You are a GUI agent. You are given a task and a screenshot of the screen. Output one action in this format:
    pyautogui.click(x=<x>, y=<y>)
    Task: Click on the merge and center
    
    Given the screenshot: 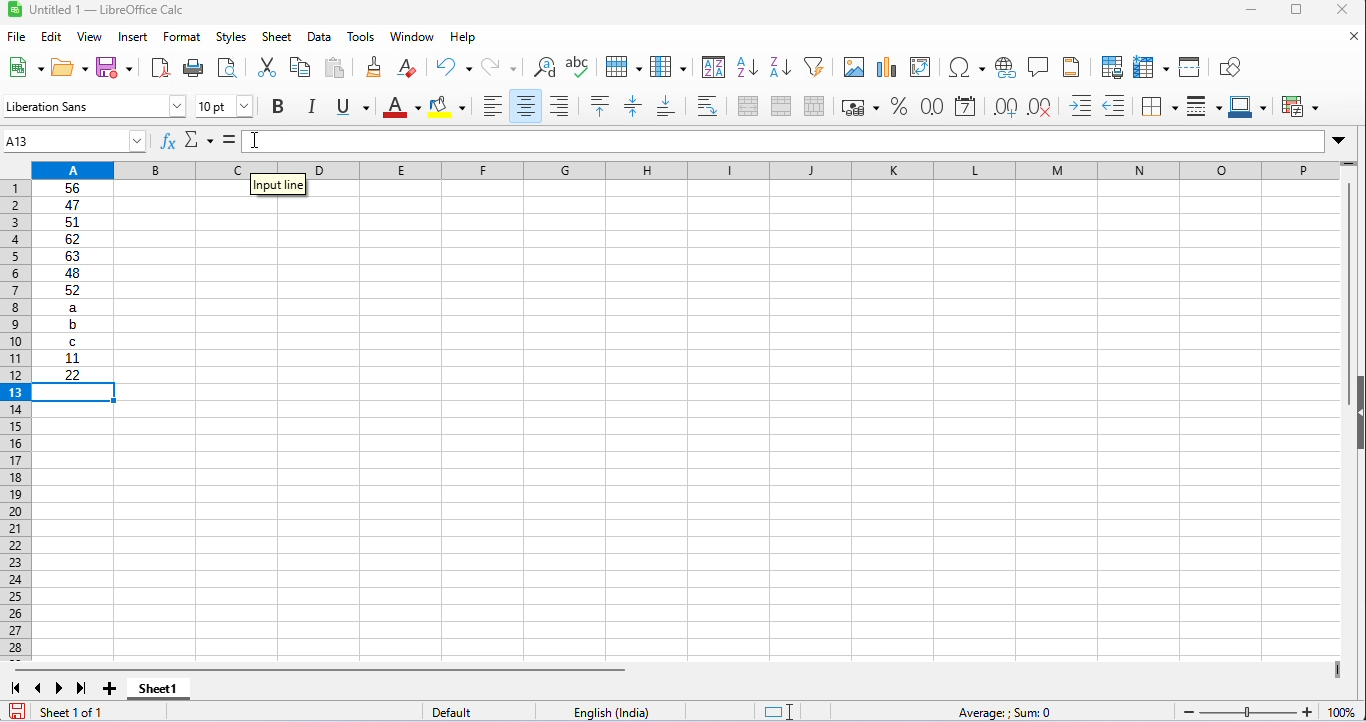 What is the action you would take?
    pyautogui.click(x=748, y=106)
    